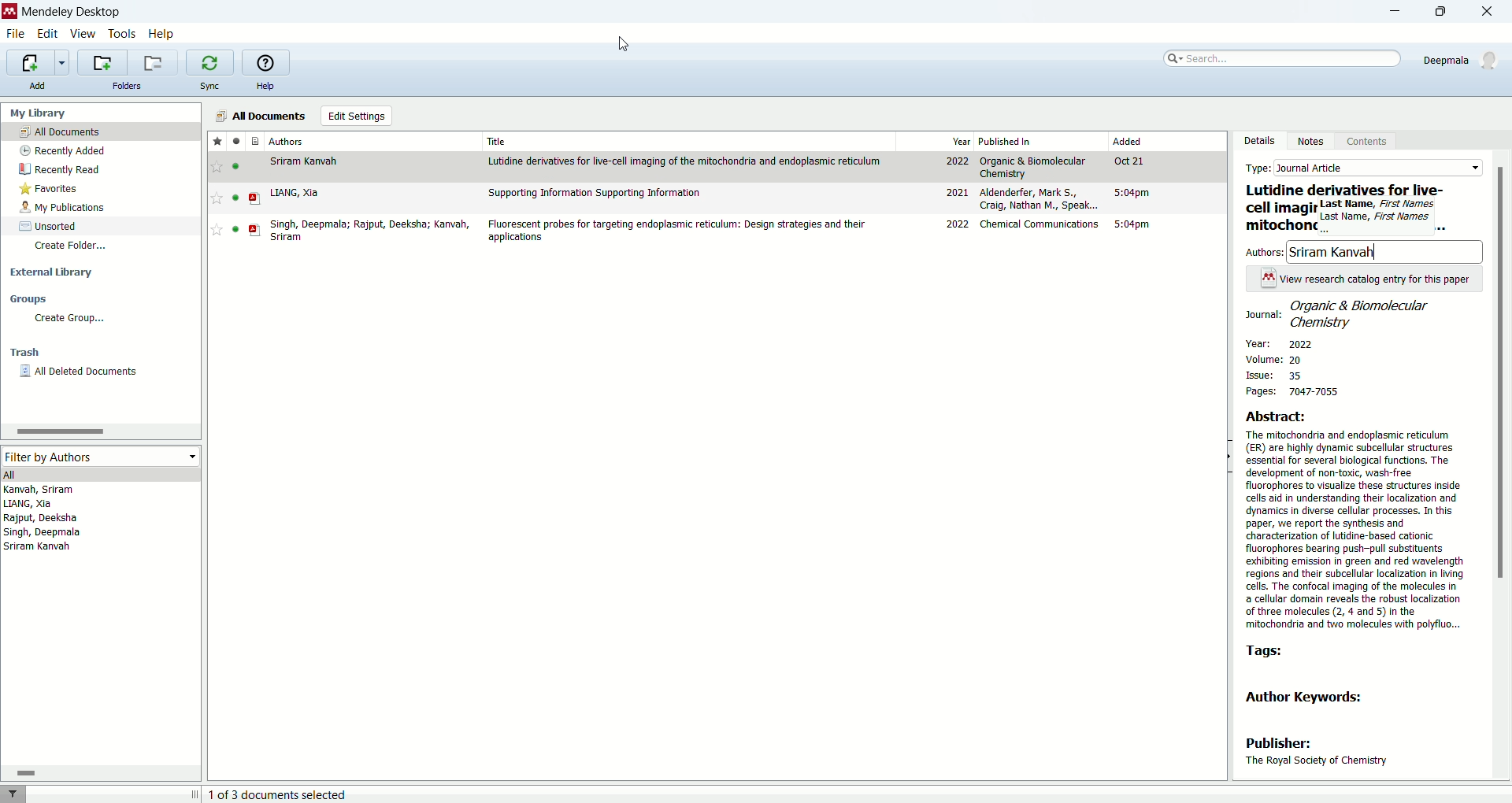  Describe the element at coordinates (69, 12) in the screenshot. I see `mendeley desktop` at that location.